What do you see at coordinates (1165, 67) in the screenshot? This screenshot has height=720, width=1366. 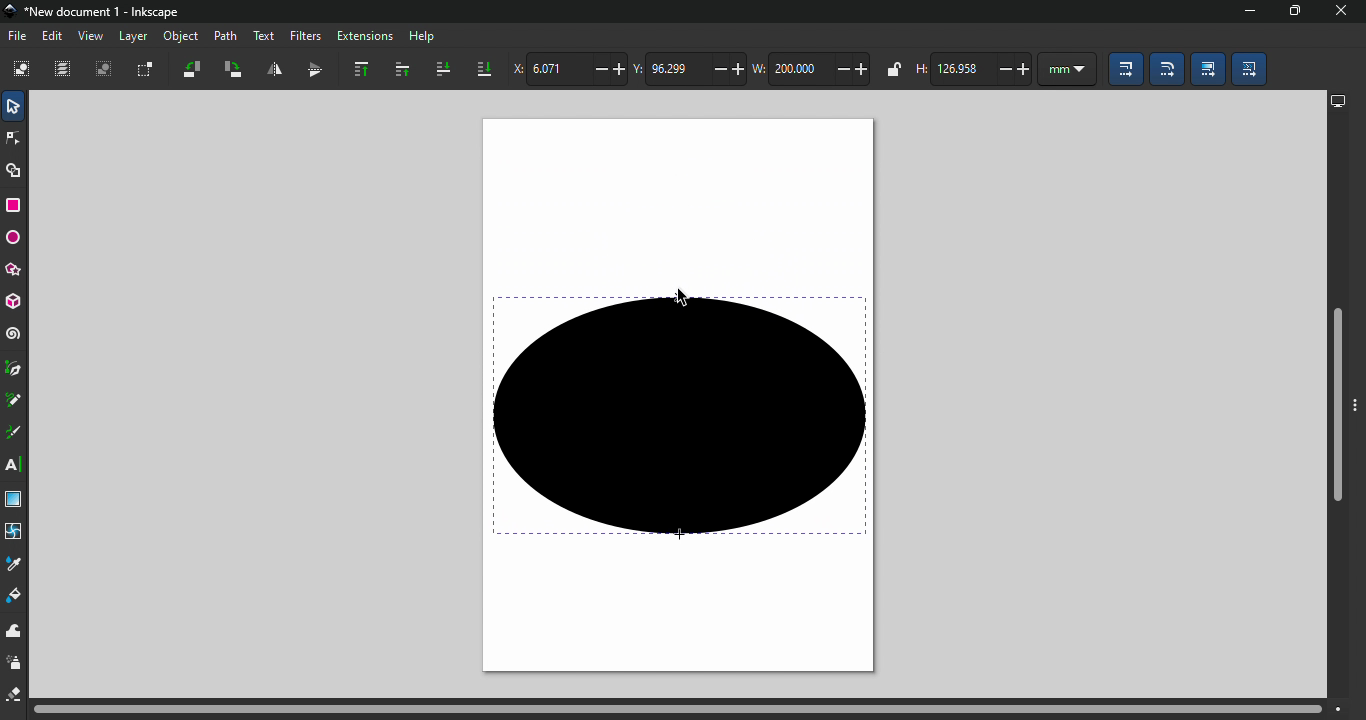 I see `When scaling rectangles, scale the radii of rounded corners` at bounding box center [1165, 67].